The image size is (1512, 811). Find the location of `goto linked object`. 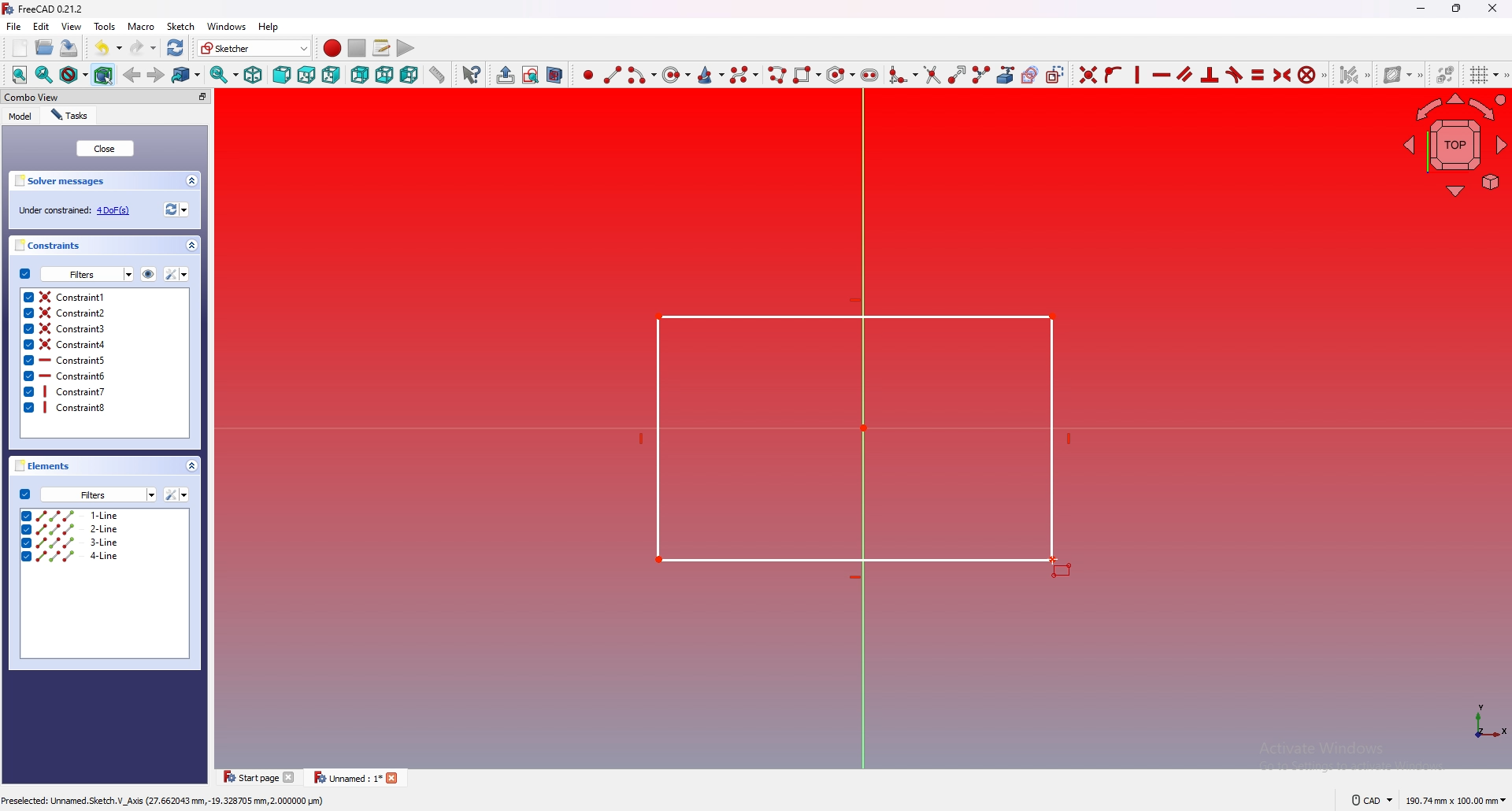

goto linked object is located at coordinates (187, 75).